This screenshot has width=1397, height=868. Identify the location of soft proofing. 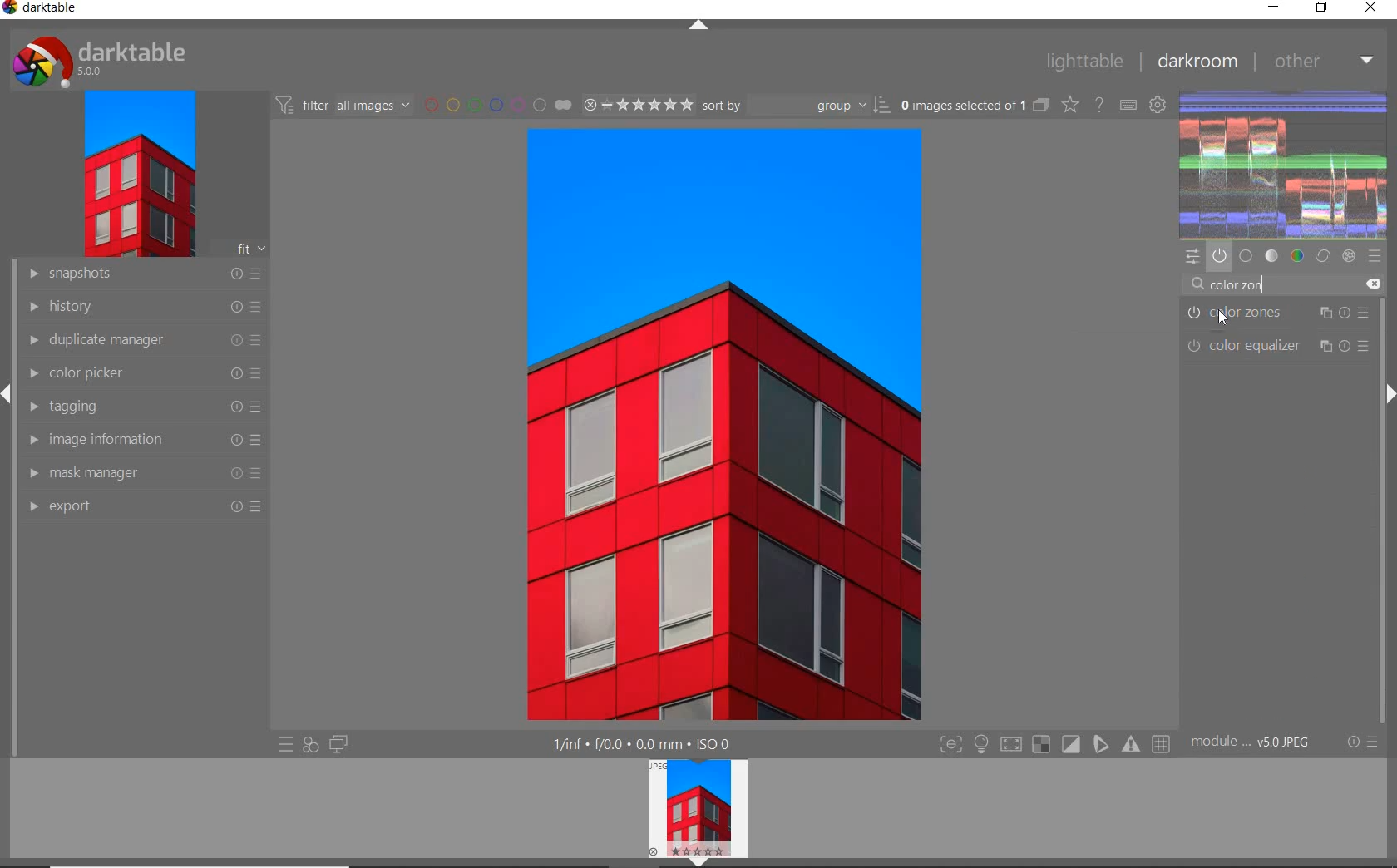
(1072, 744).